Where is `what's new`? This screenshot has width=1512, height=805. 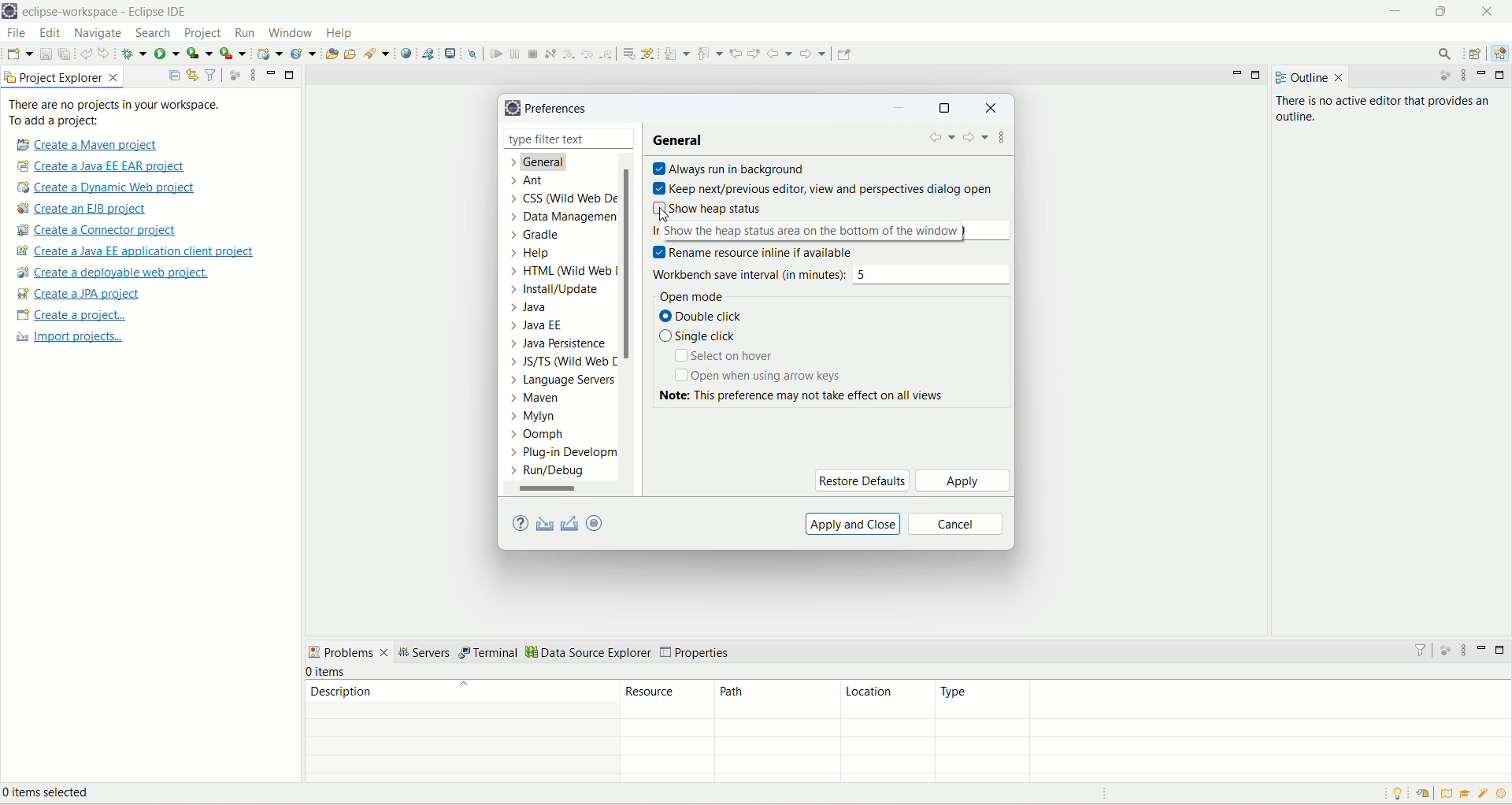 what's new is located at coordinates (1484, 796).